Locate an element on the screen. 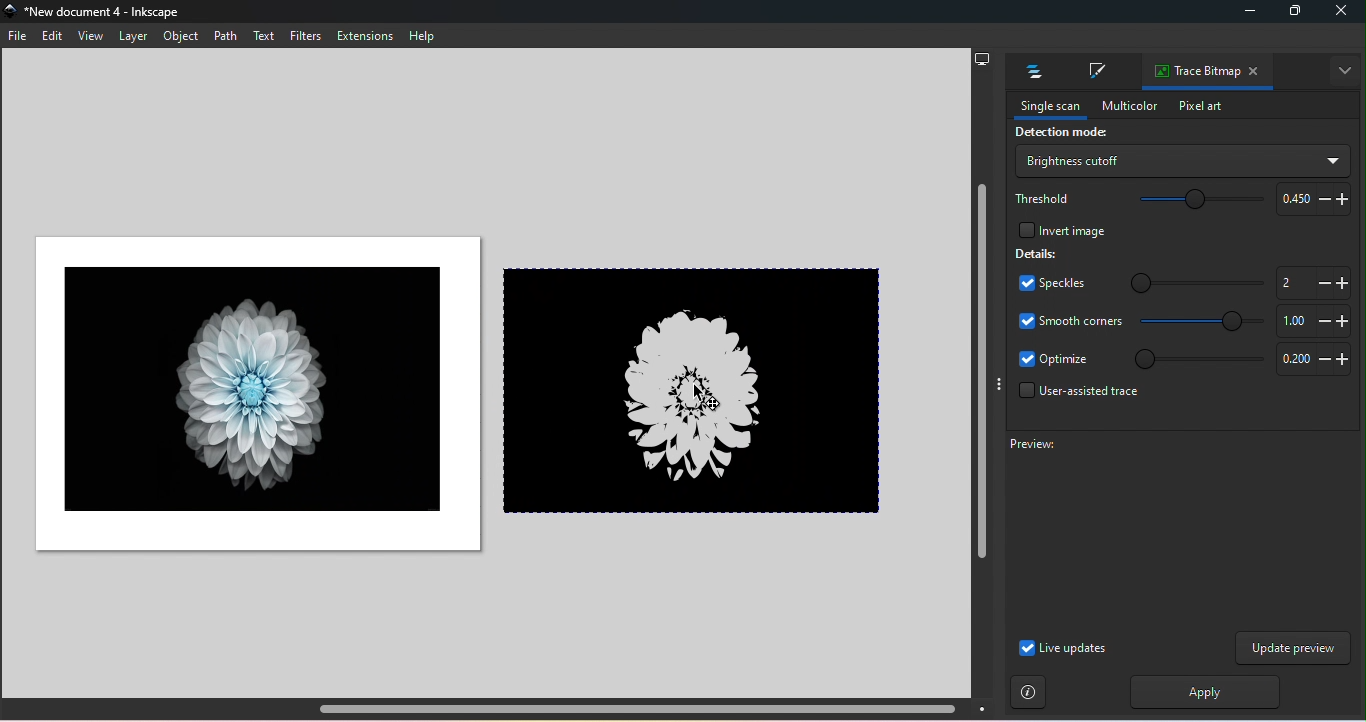  Detection mode is located at coordinates (1058, 134).